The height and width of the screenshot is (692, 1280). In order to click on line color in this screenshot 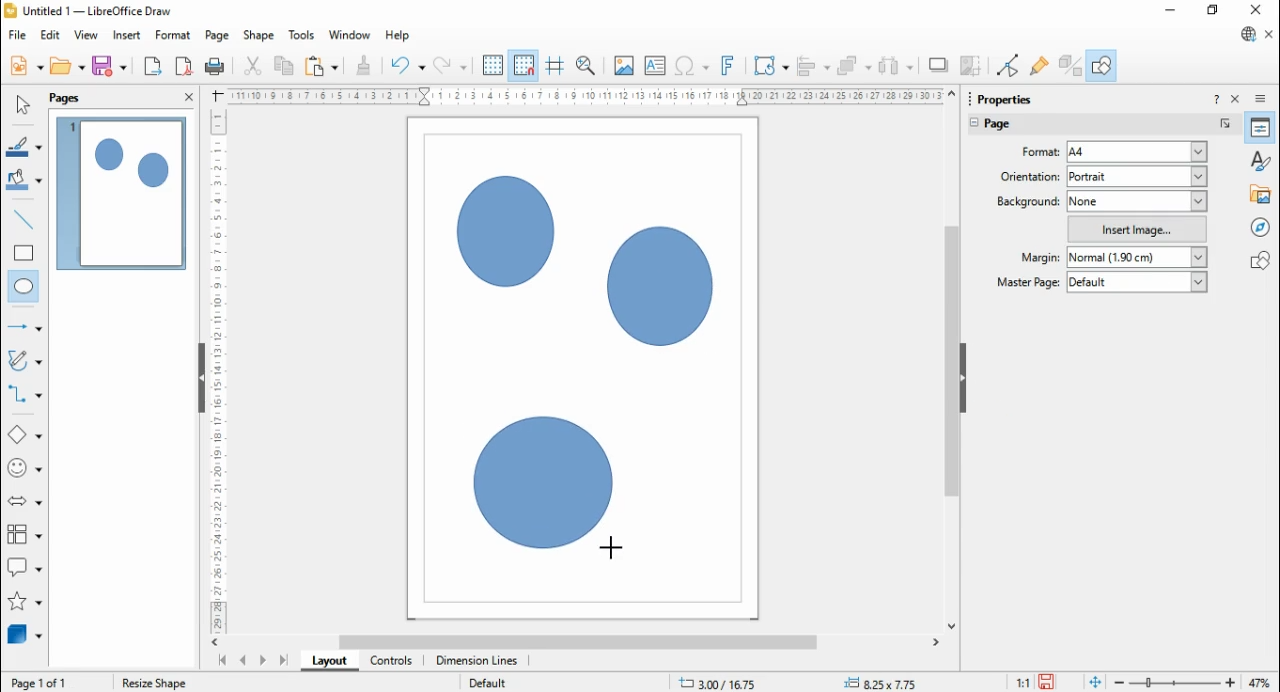, I will do `click(26, 146)`.